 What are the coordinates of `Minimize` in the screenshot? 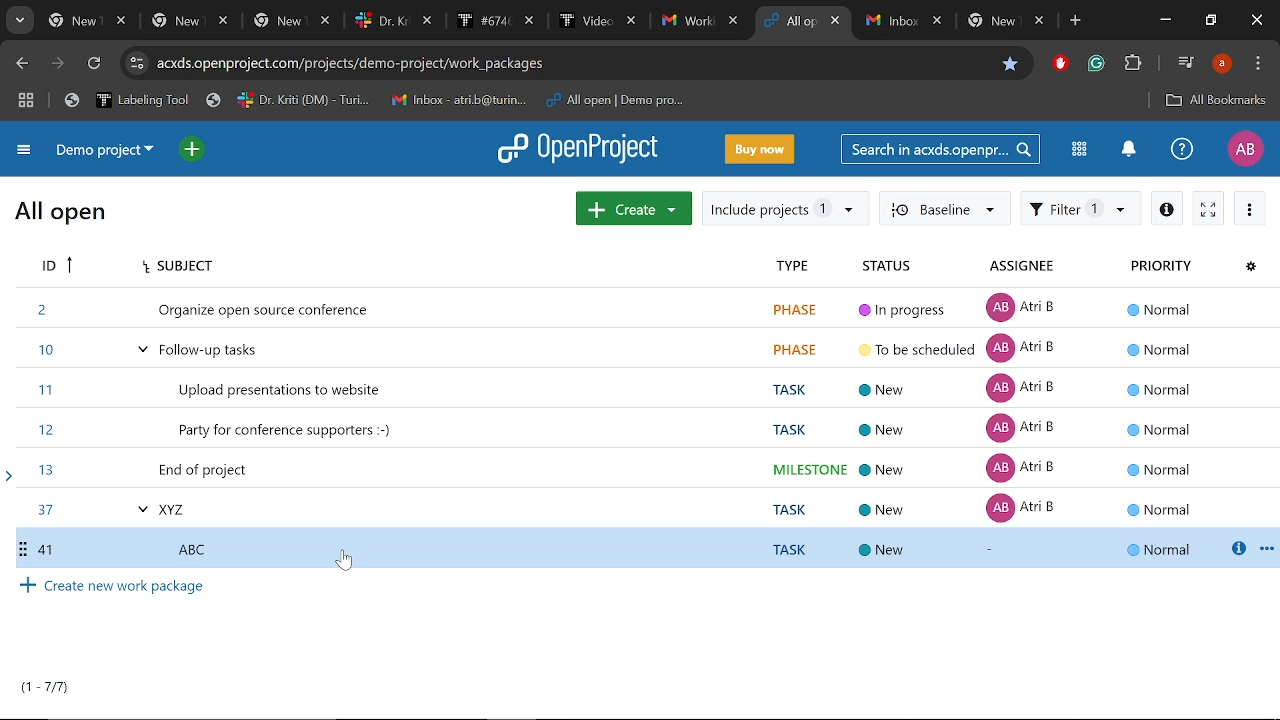 It's located at (1165, 22).